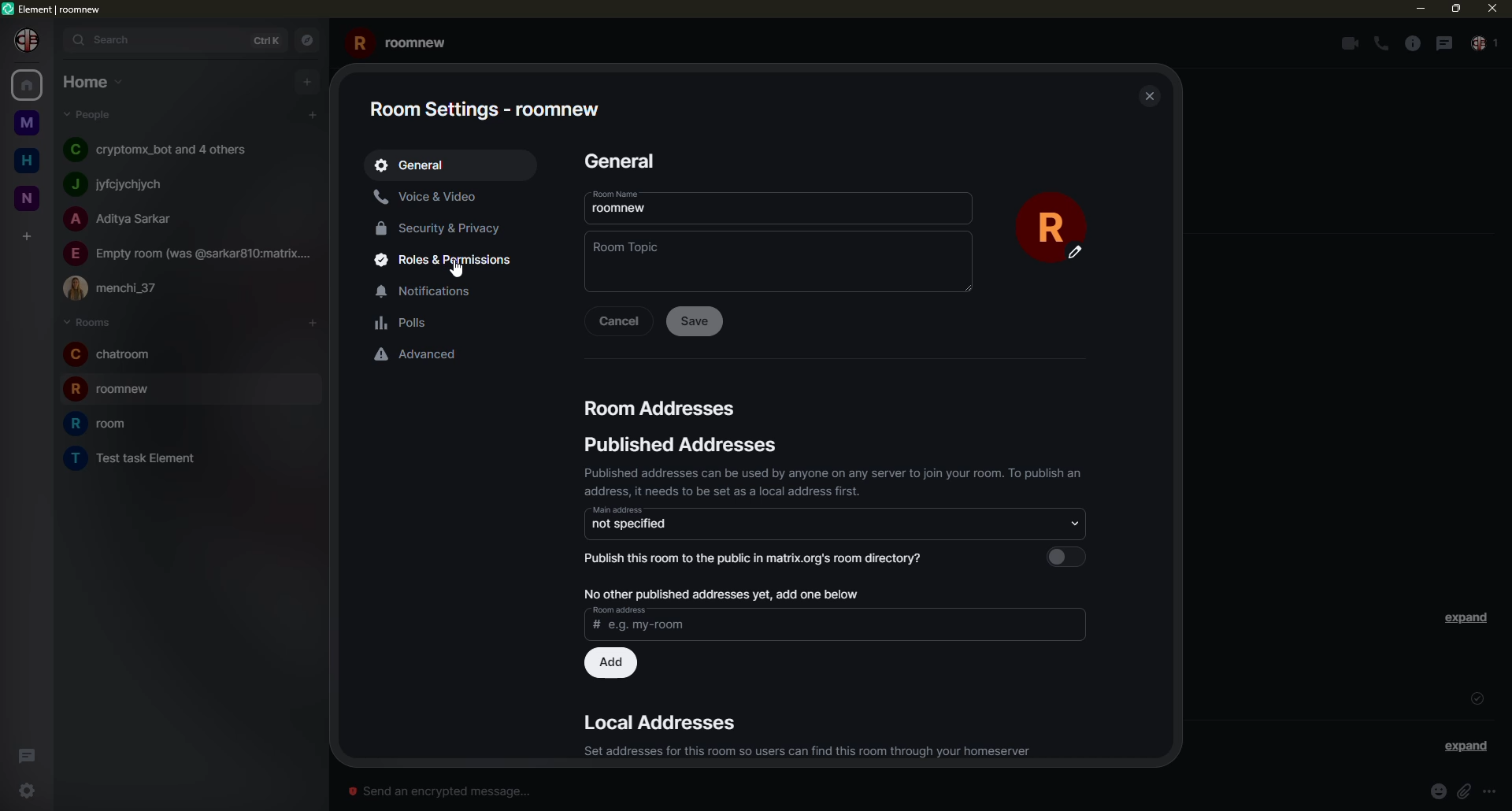 Image resolution: width=1512 pixels, height=811 pixels. What do you see at coordinates (105, 424) in the screenshot?
I see `room` at bounding box center [105, 424].